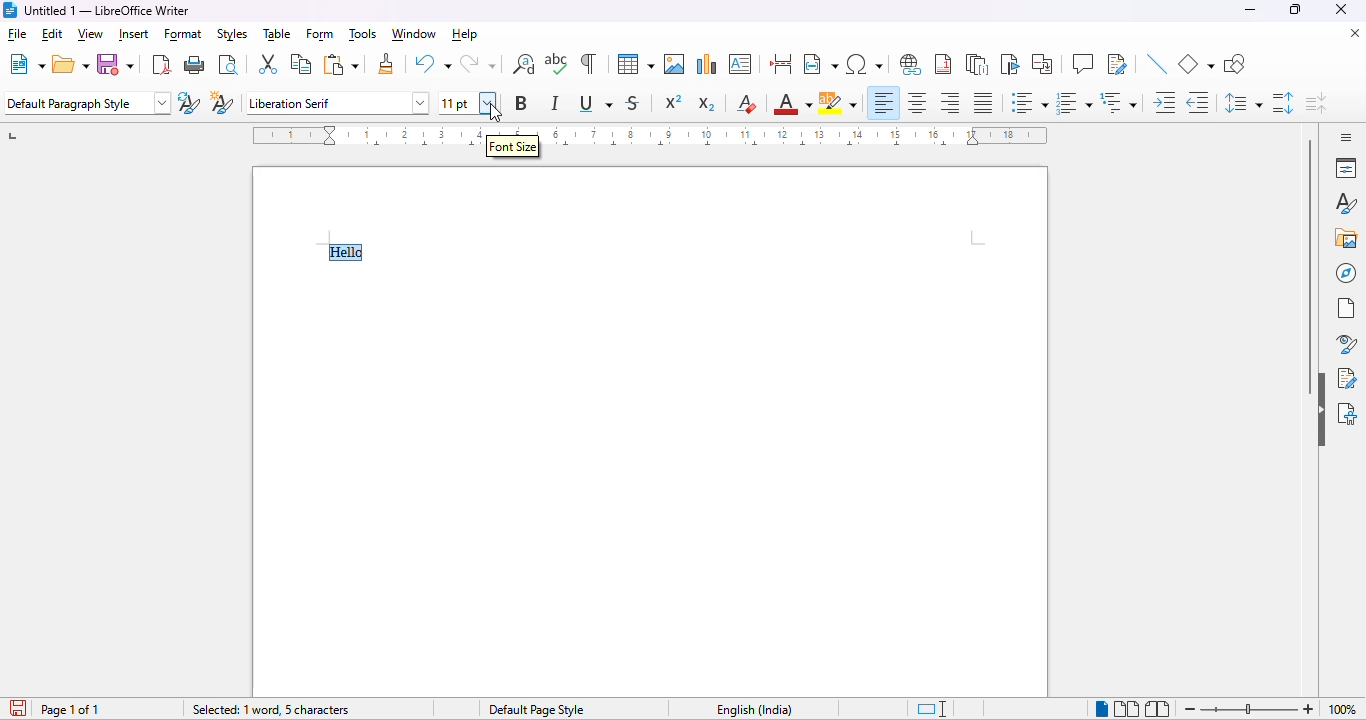  Describe the element at coordinates (707, 103) in the screenshot. I see `subscript` at that location.